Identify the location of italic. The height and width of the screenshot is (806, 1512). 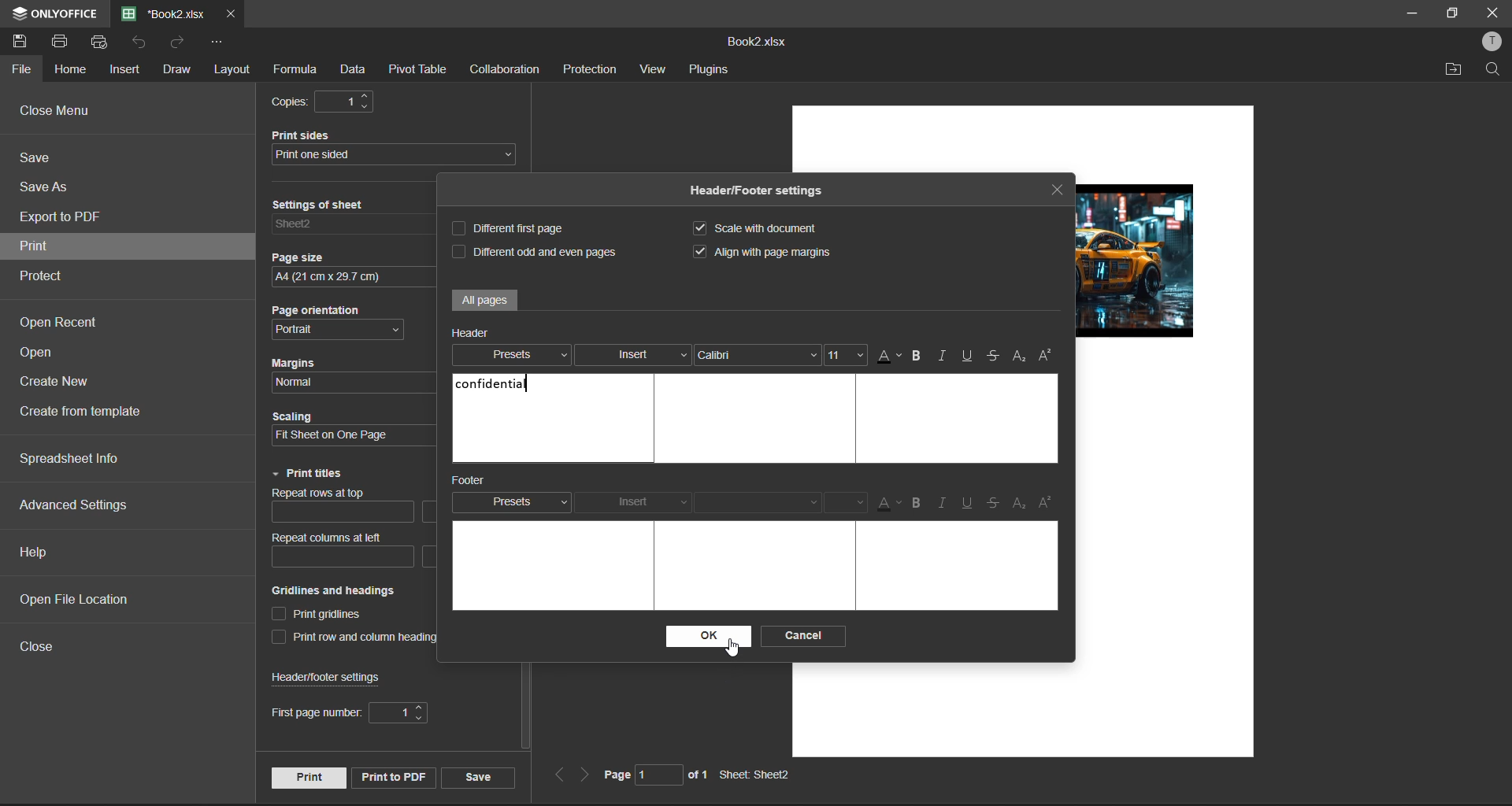
(944, 357).